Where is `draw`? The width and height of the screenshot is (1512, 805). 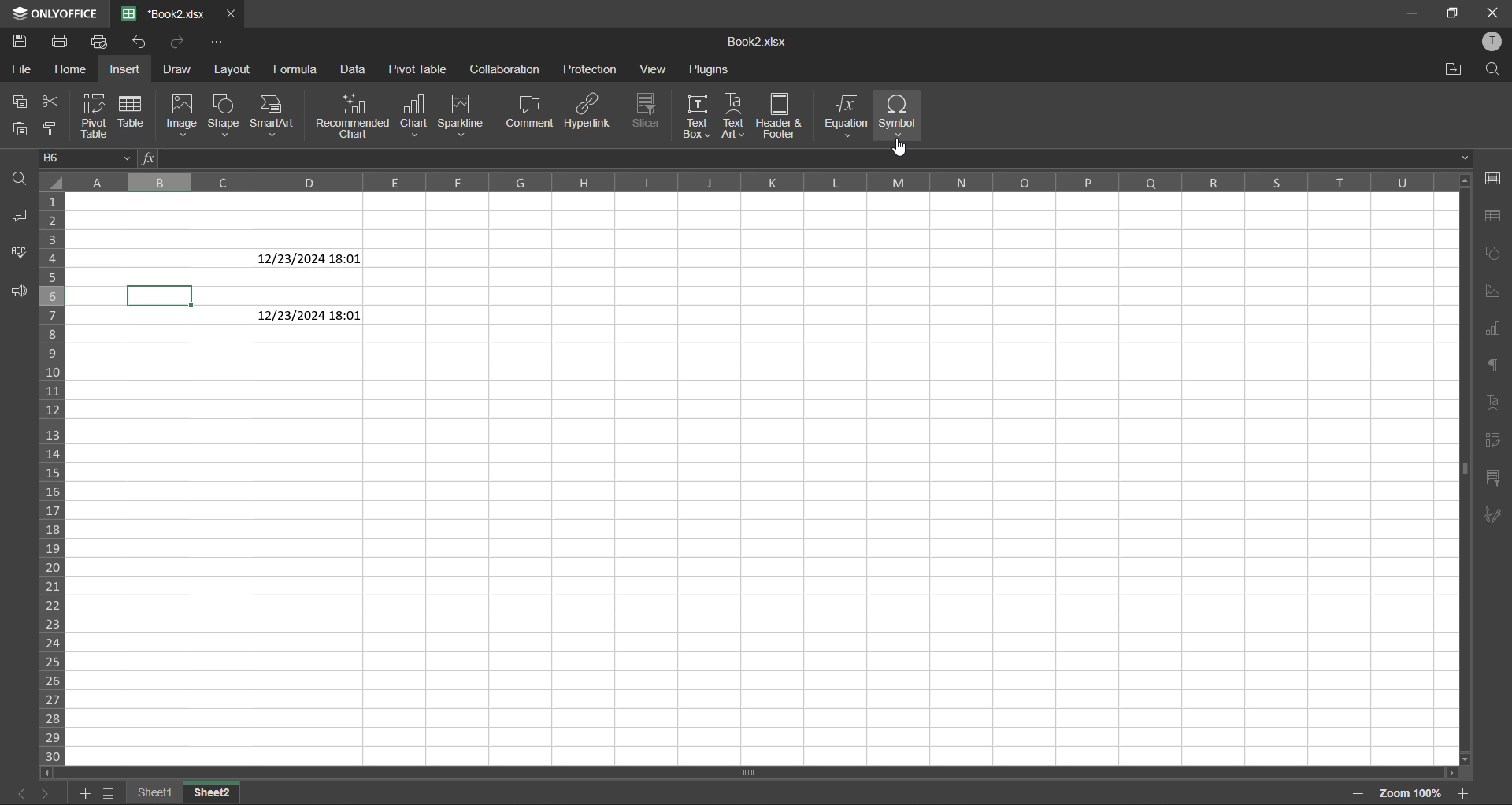 draw is located at coordinates (176, 69).